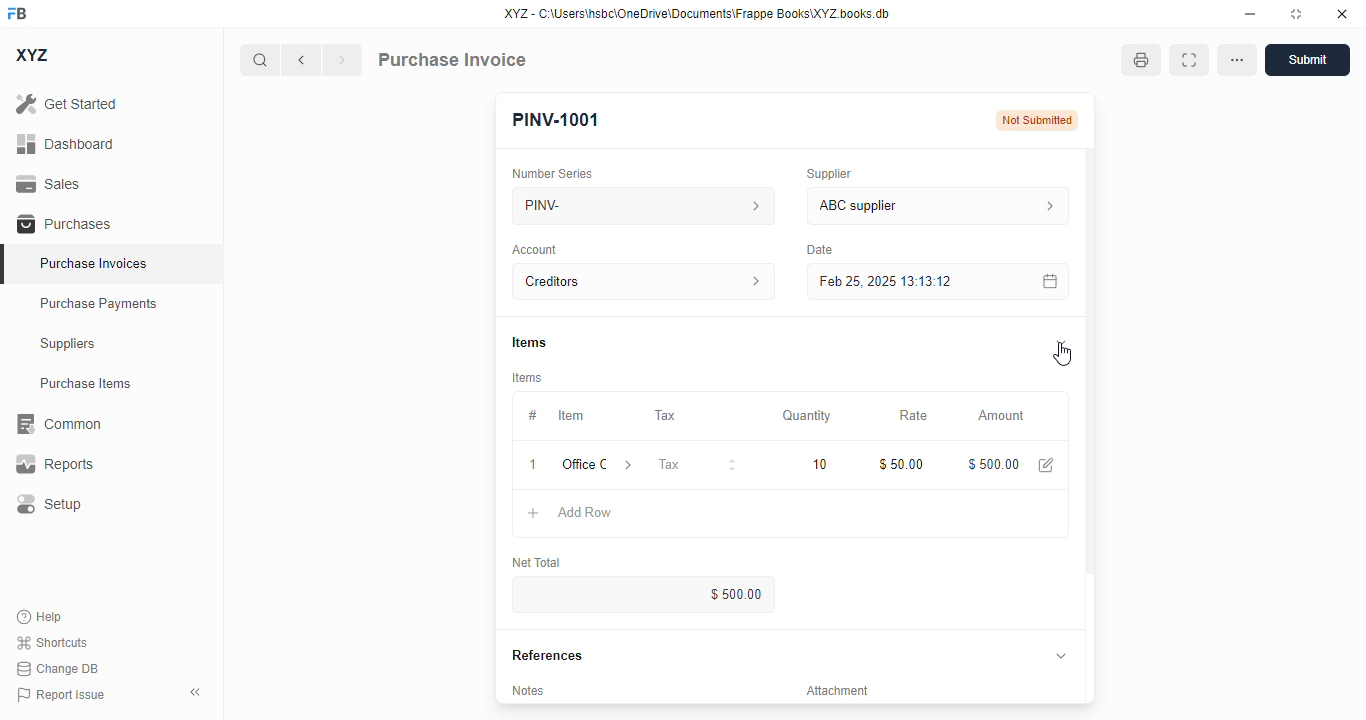 The image size is (1366, 720). Describe the element at coordinates (40, 617) in the screenshot. I see `help` at that location.